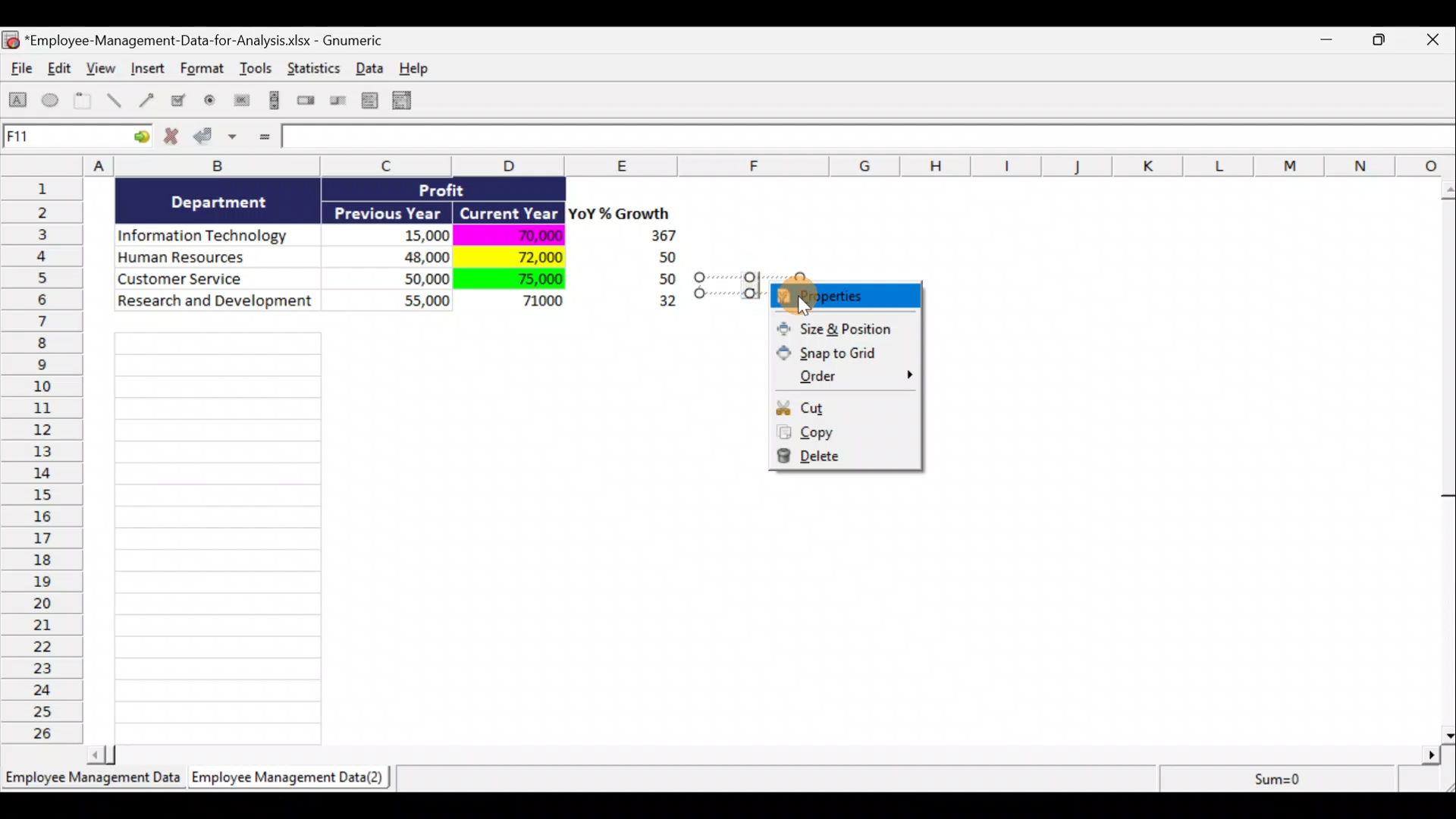 Image resolution: width=1456 pixels, height=819 pixels. What do you see at coordinates (1446, 458) in the screenshot?
I see `Scroll bar` at bounding box center [1446, 458].